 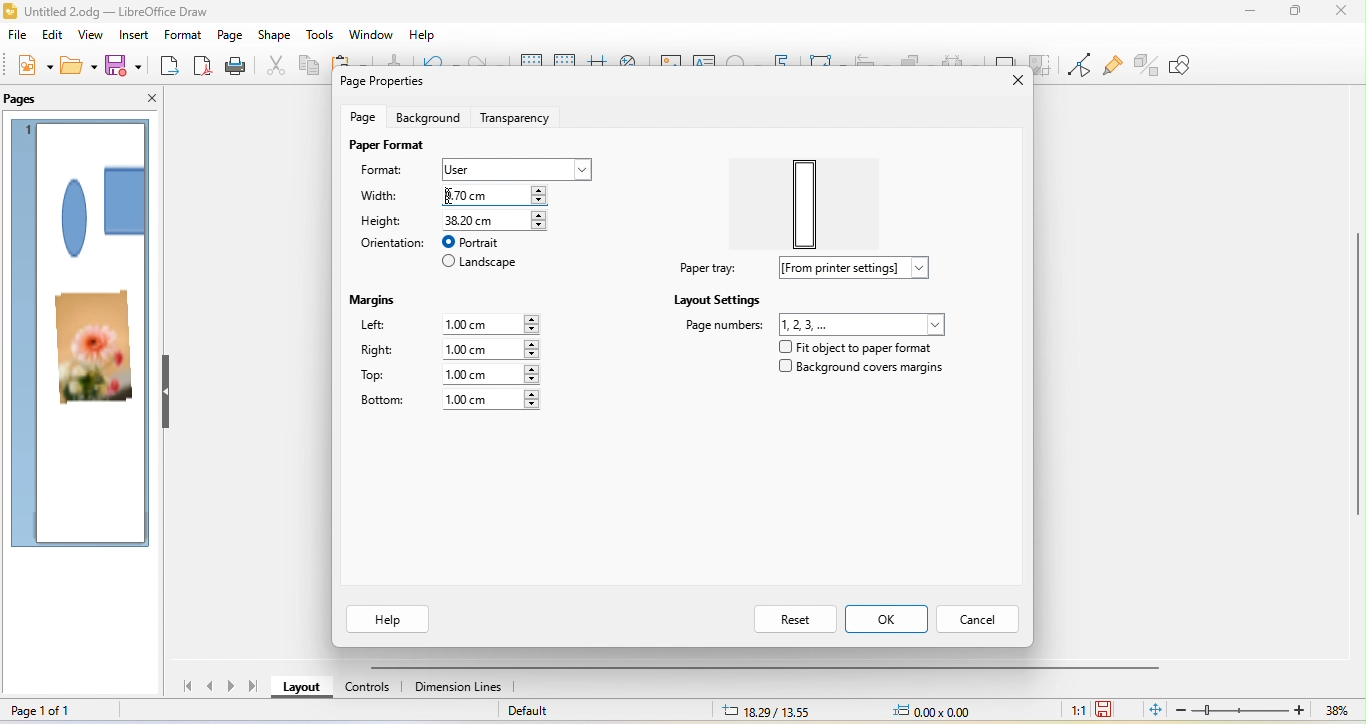 I want to click on shape, so click(x=277, y=35).